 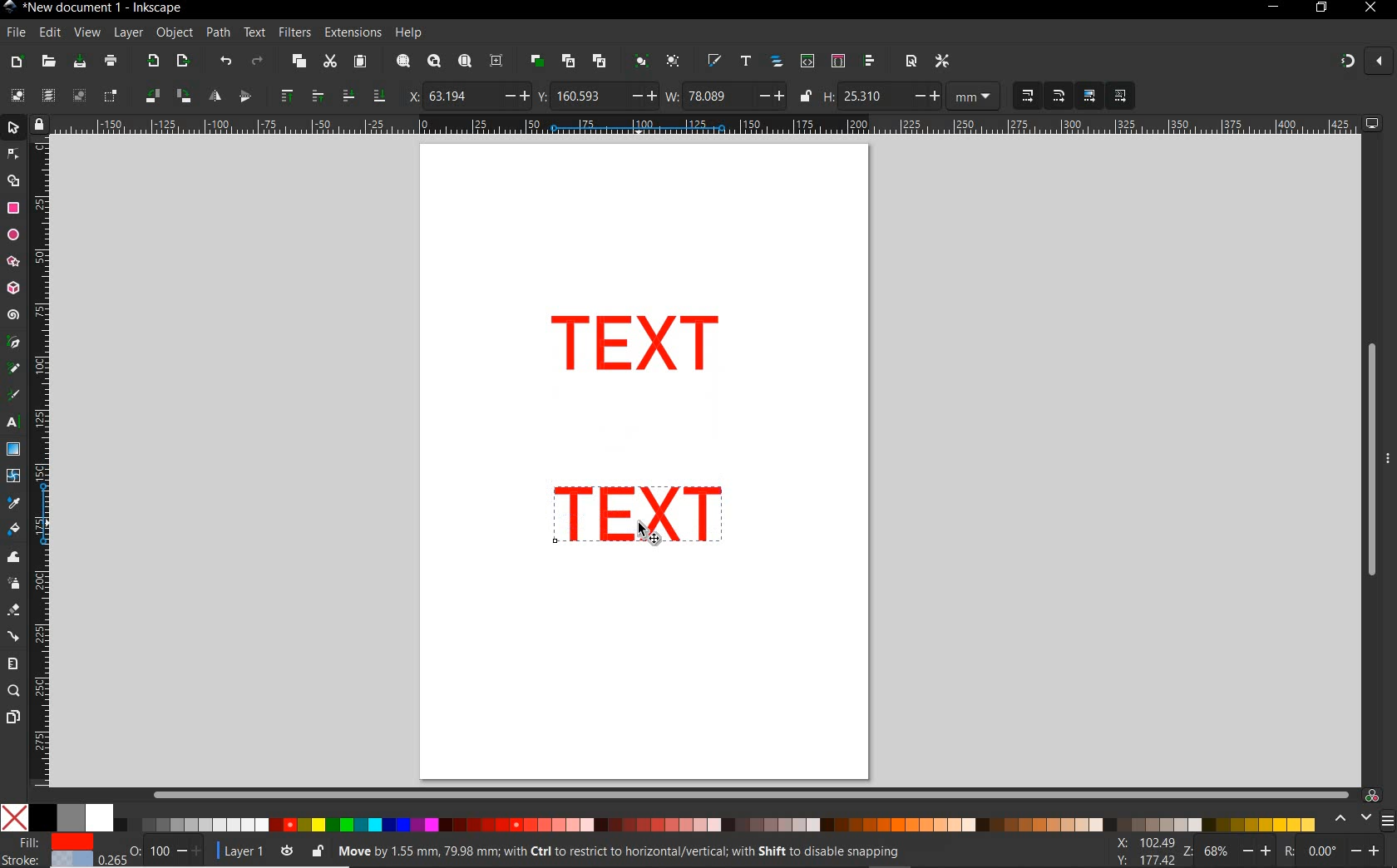 What do you see at coordinates (777, 63) in the screenshot?
I see `open objects` at bounding box center [777, 63].